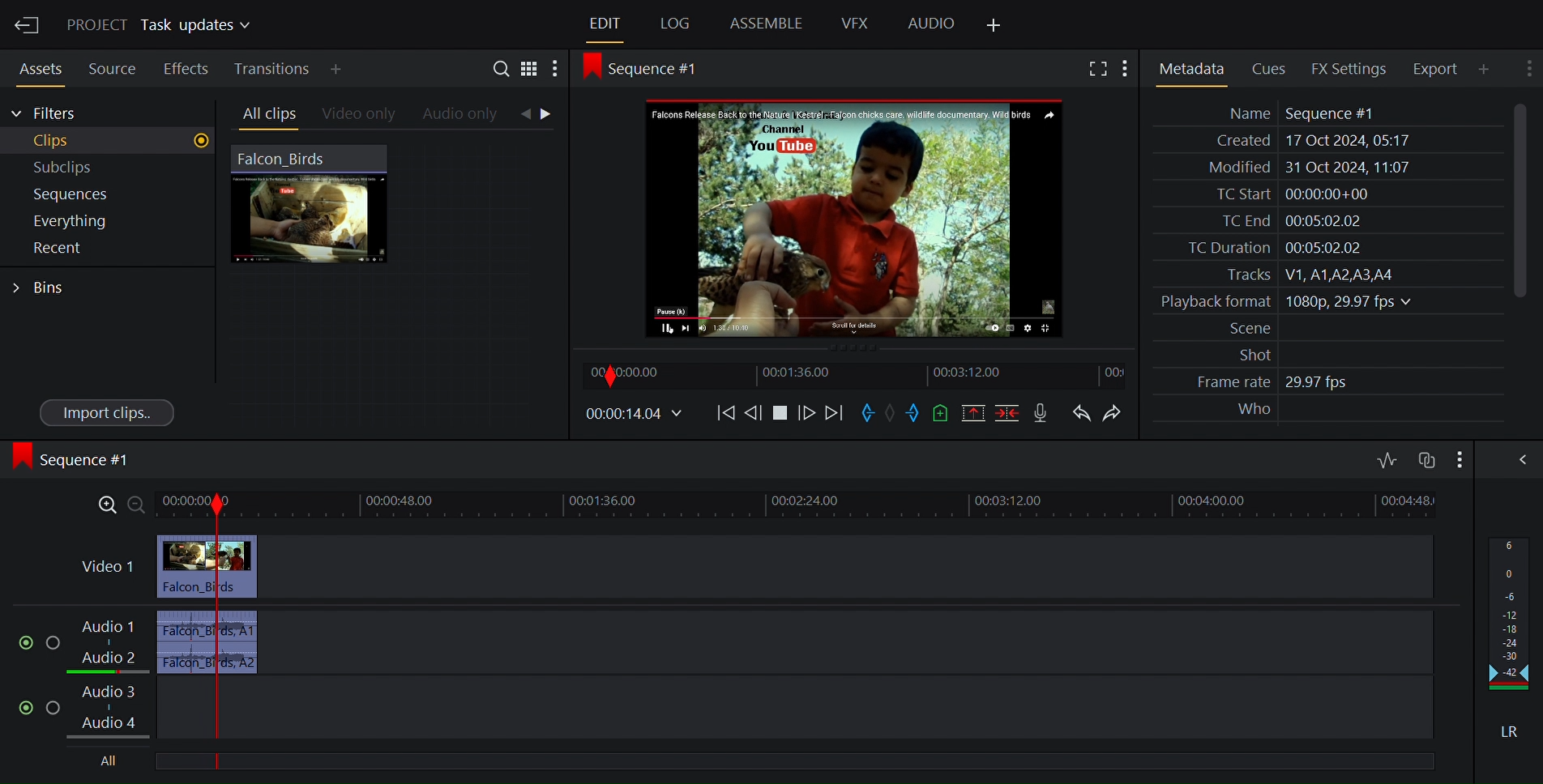 The height and width of the screenshot is (784, 1543). I want to click on Sequences, so click(100, 194).